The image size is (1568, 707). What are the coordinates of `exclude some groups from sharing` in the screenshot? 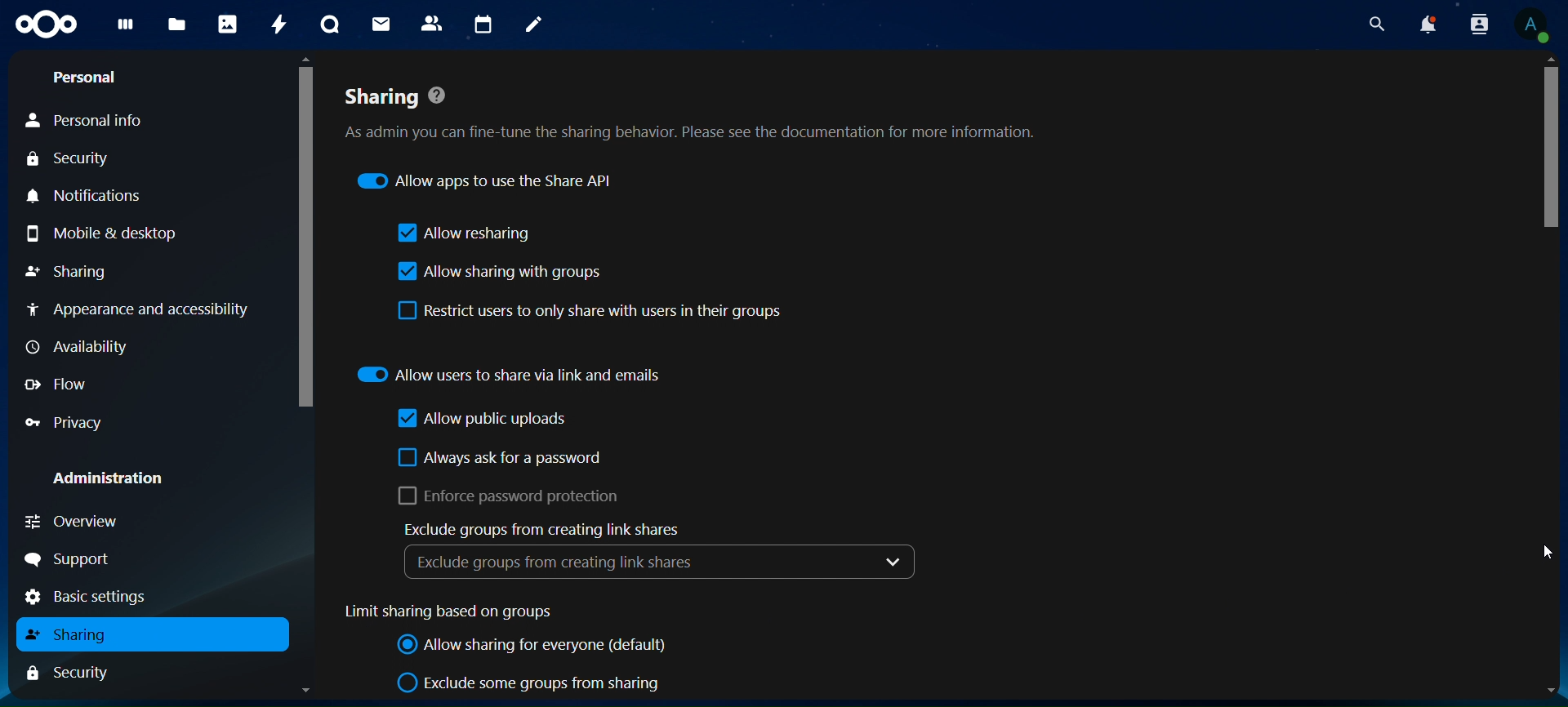 It's located at (532, 683).